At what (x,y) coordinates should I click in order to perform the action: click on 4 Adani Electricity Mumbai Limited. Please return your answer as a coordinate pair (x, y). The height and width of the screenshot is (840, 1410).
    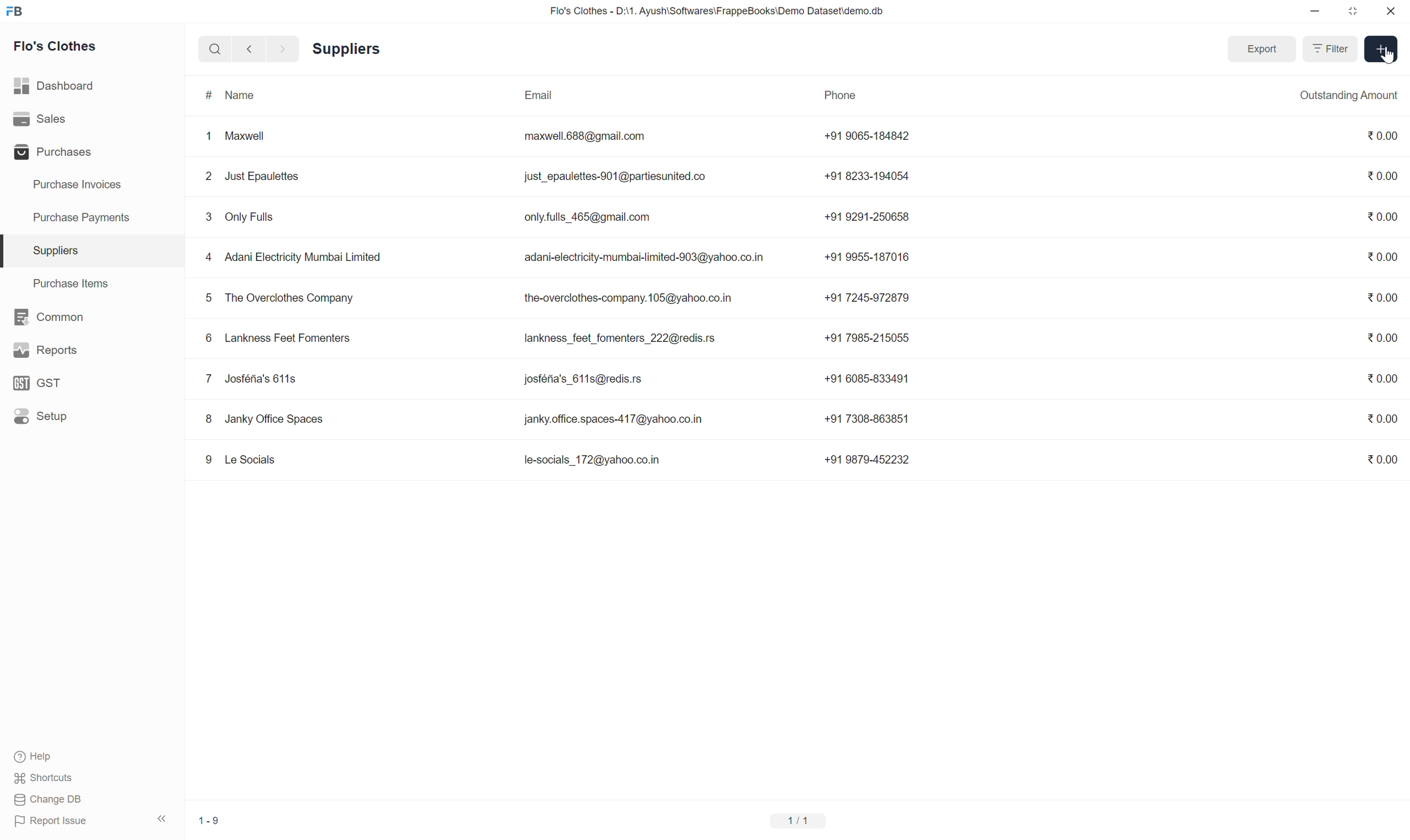
    Looking at the image, I should click on (294, 256).